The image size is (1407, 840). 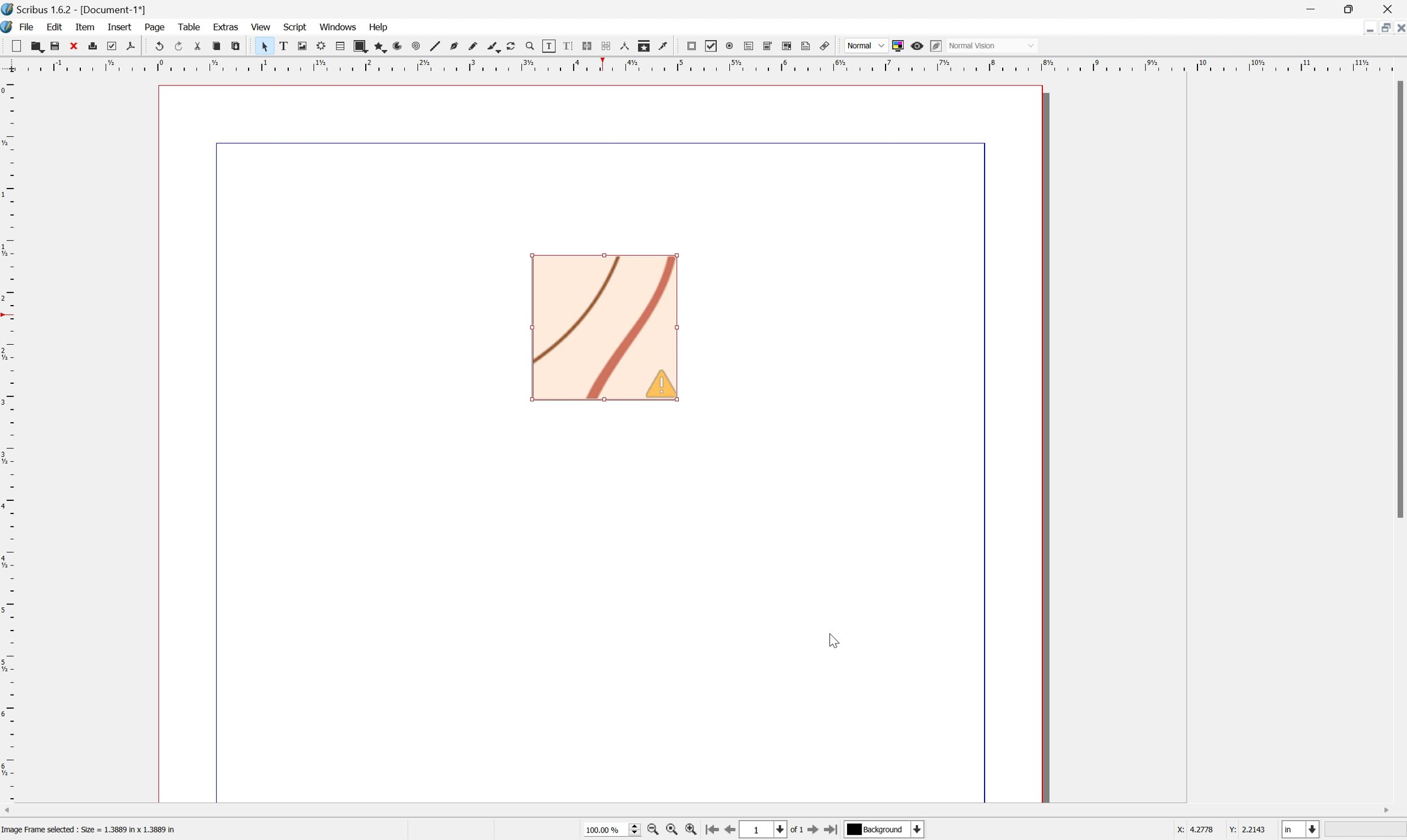 What do you see at coordinates (322, 46) in the screenshot?
I see `Render frame` at bounding box center [322, 46].